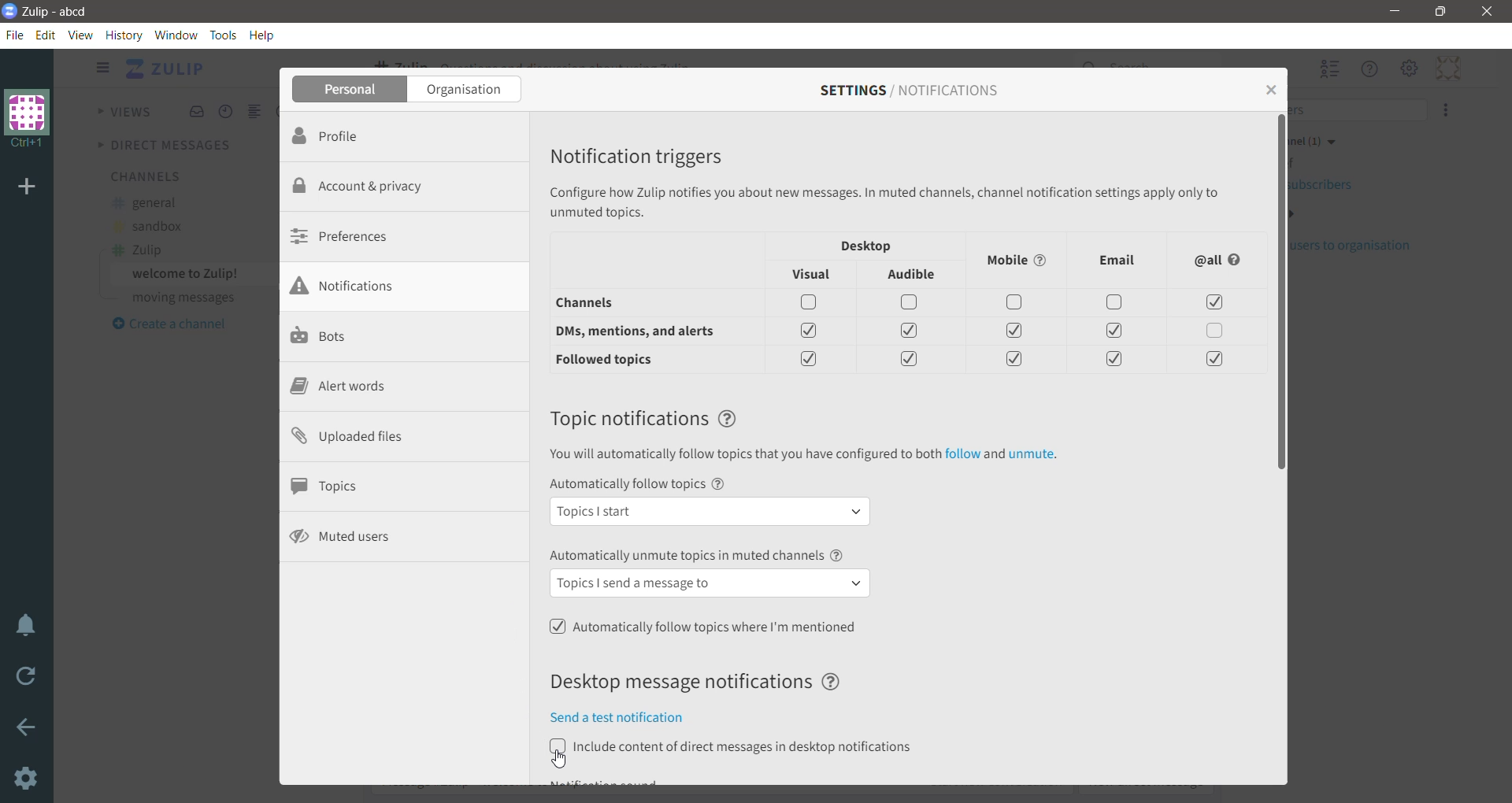  What do you see at coordinates (53, 11) in the screenshot?
I see `Application Logo and Name - Organization Name` at bounding box center [53, 11].